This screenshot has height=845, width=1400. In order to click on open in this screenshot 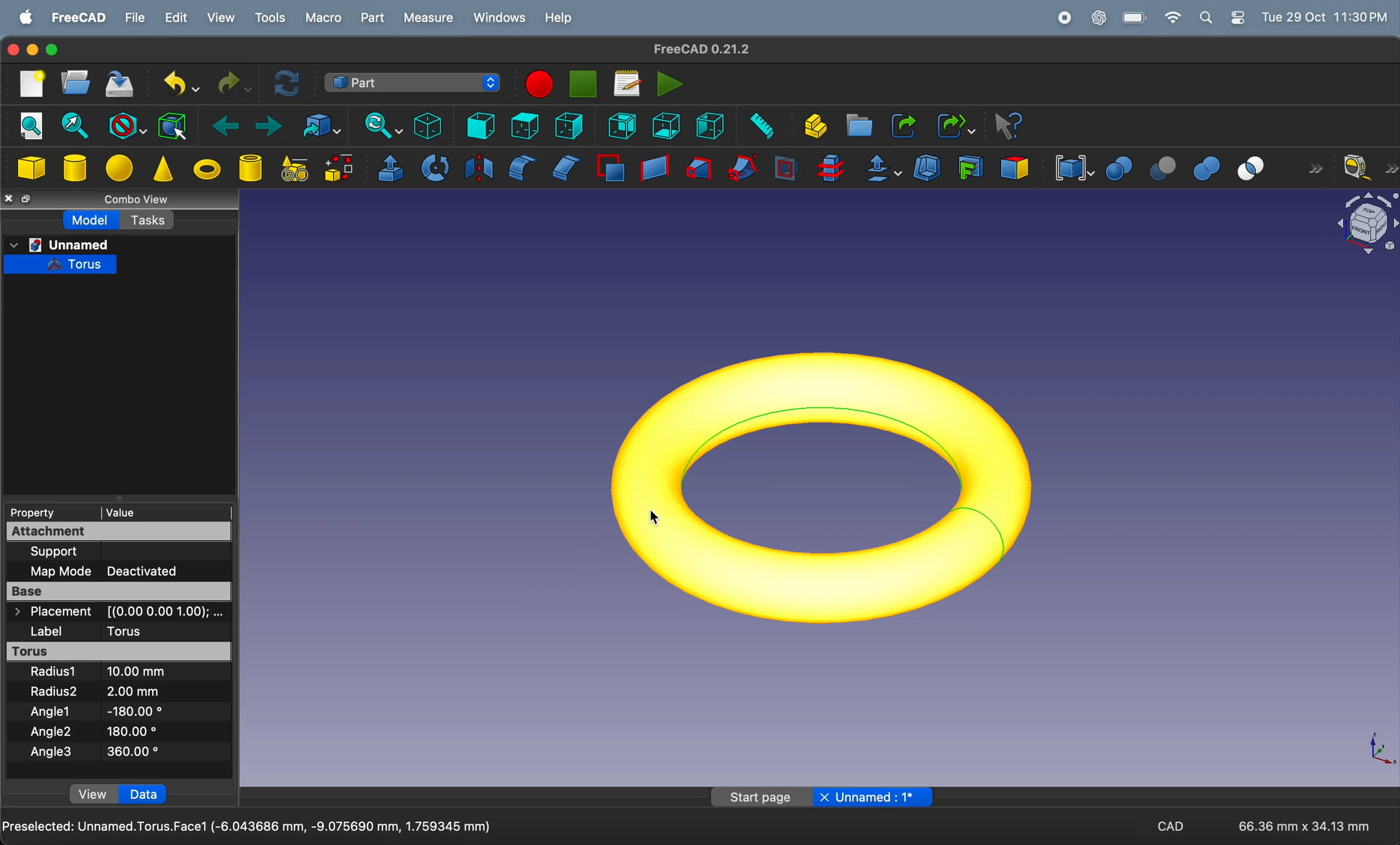, I will do `click(76, 85)`.